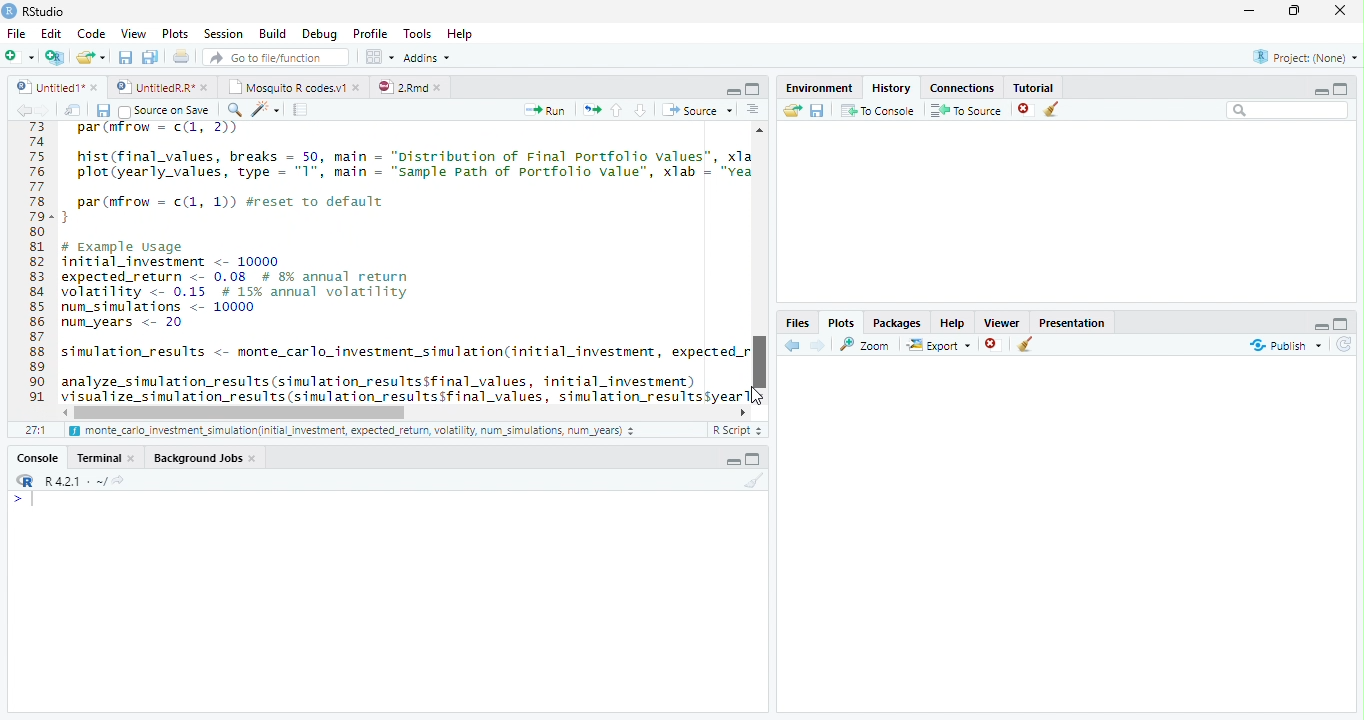 This screenshot has height=720, width=1364. Describe the element at coordinates (34, 430) in the screenshot. I see `1:1` at that location.